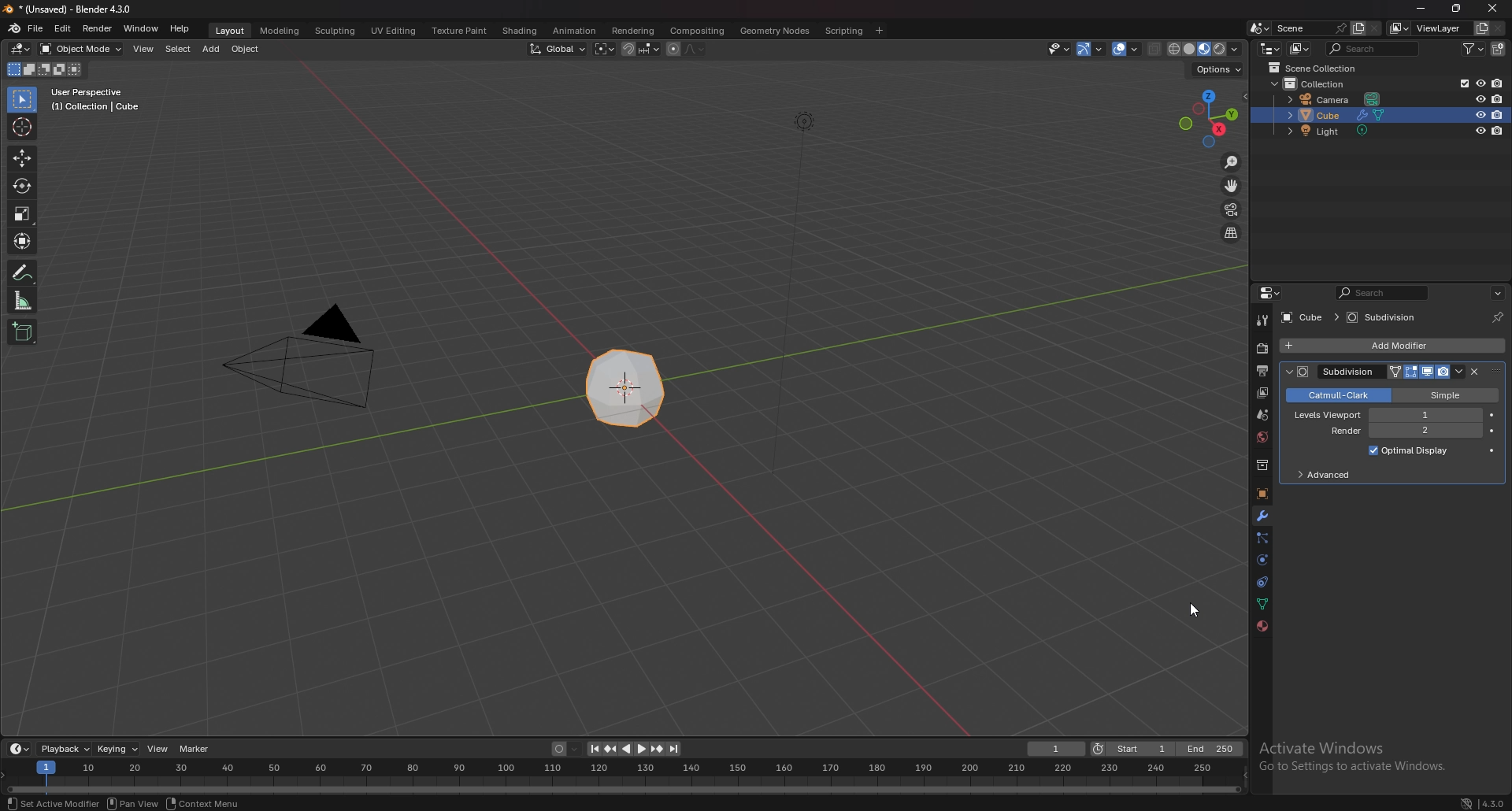  What do you see at coordinates (522, 30) in the screenshot?
I see `shading` at bounding box center [522, 30].